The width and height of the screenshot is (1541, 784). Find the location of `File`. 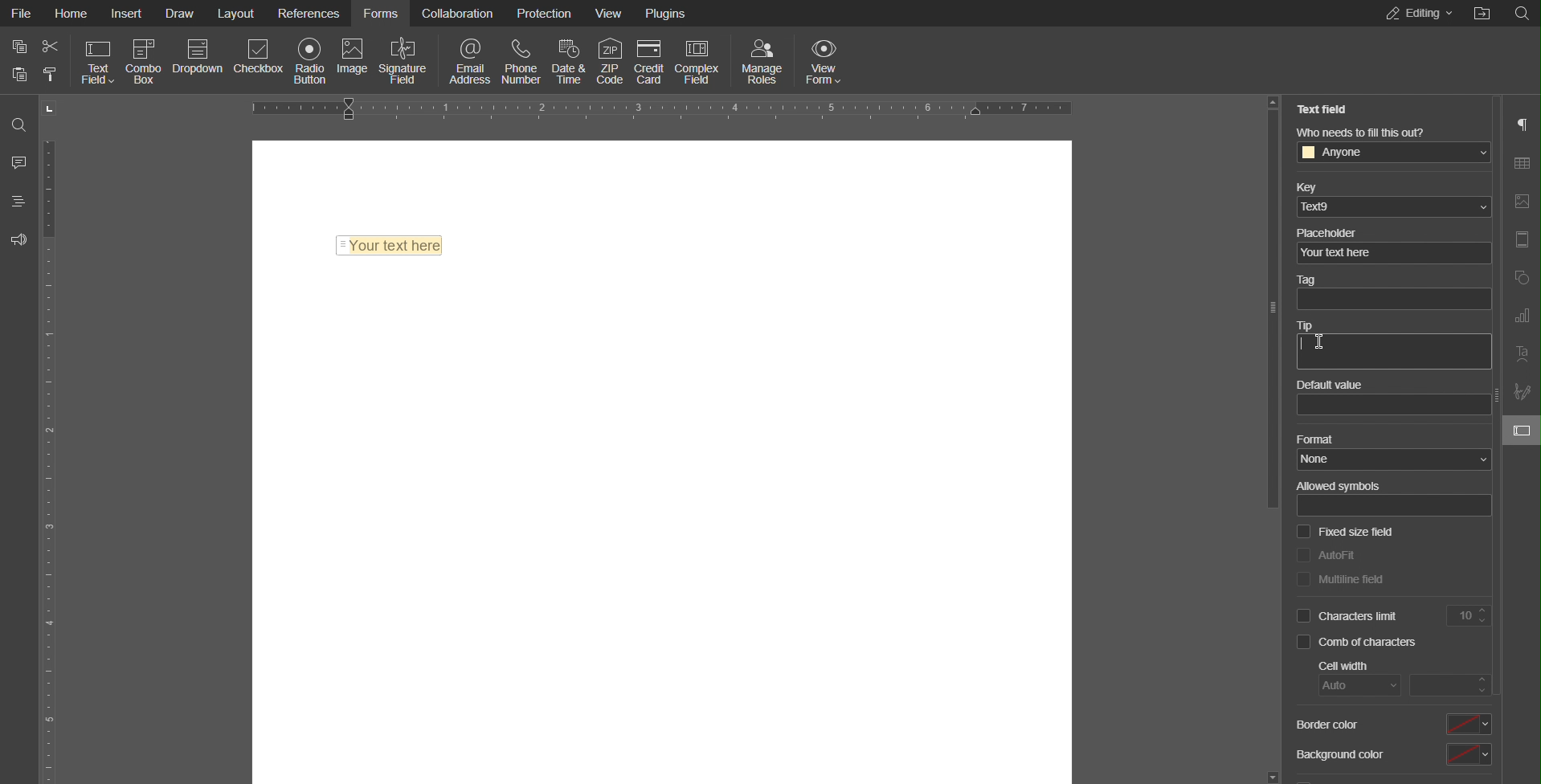

File is located at coordinates (22, 13).